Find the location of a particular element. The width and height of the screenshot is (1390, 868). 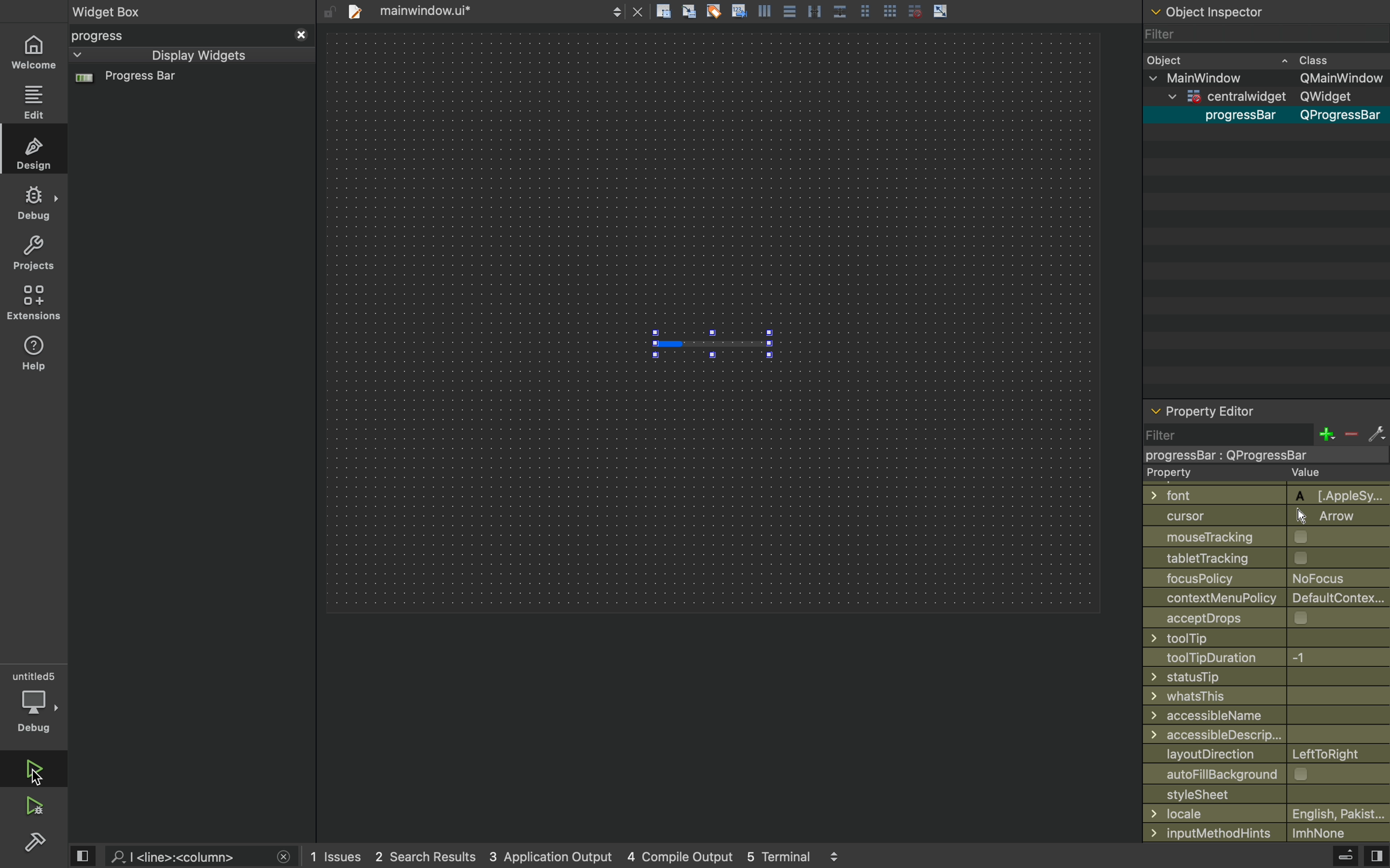

filter is located at coordinates (1265, 434).